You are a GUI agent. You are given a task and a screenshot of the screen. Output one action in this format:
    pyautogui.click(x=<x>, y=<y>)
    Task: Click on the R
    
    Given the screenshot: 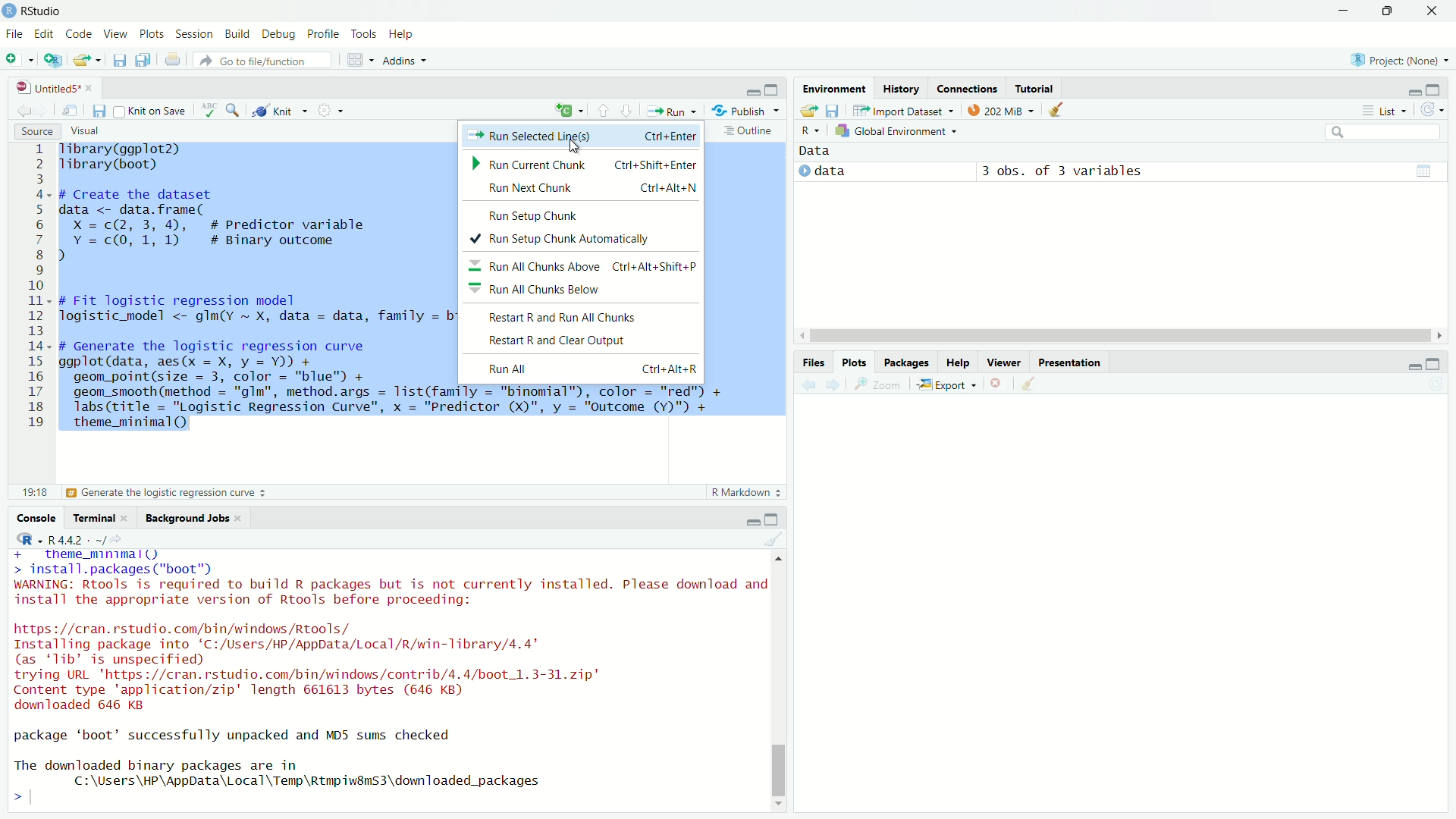 What is the action you would take?
    pyautogui.click(x=30, y=539)
    